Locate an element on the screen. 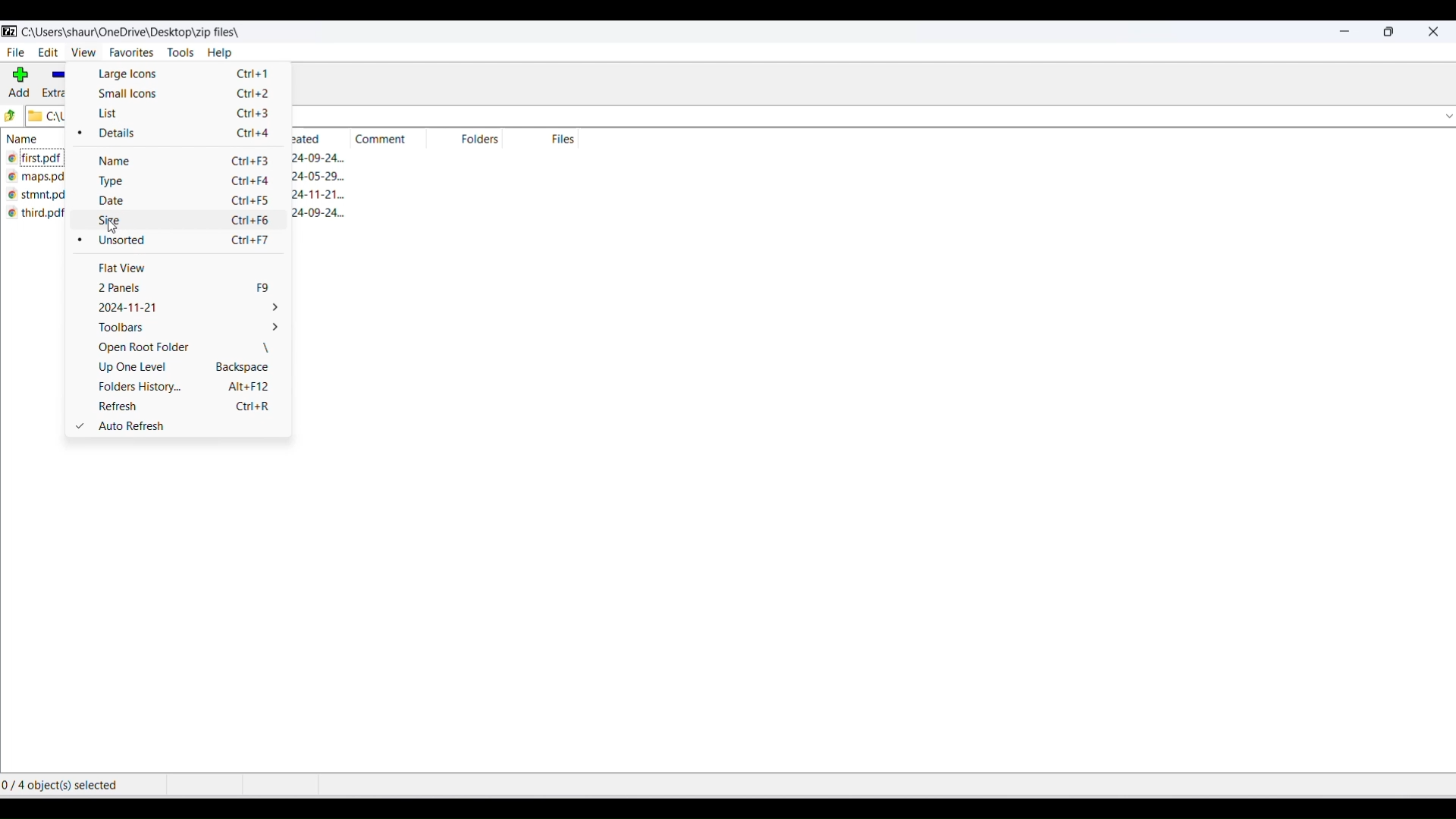  list is located at coordinates (186, 115).